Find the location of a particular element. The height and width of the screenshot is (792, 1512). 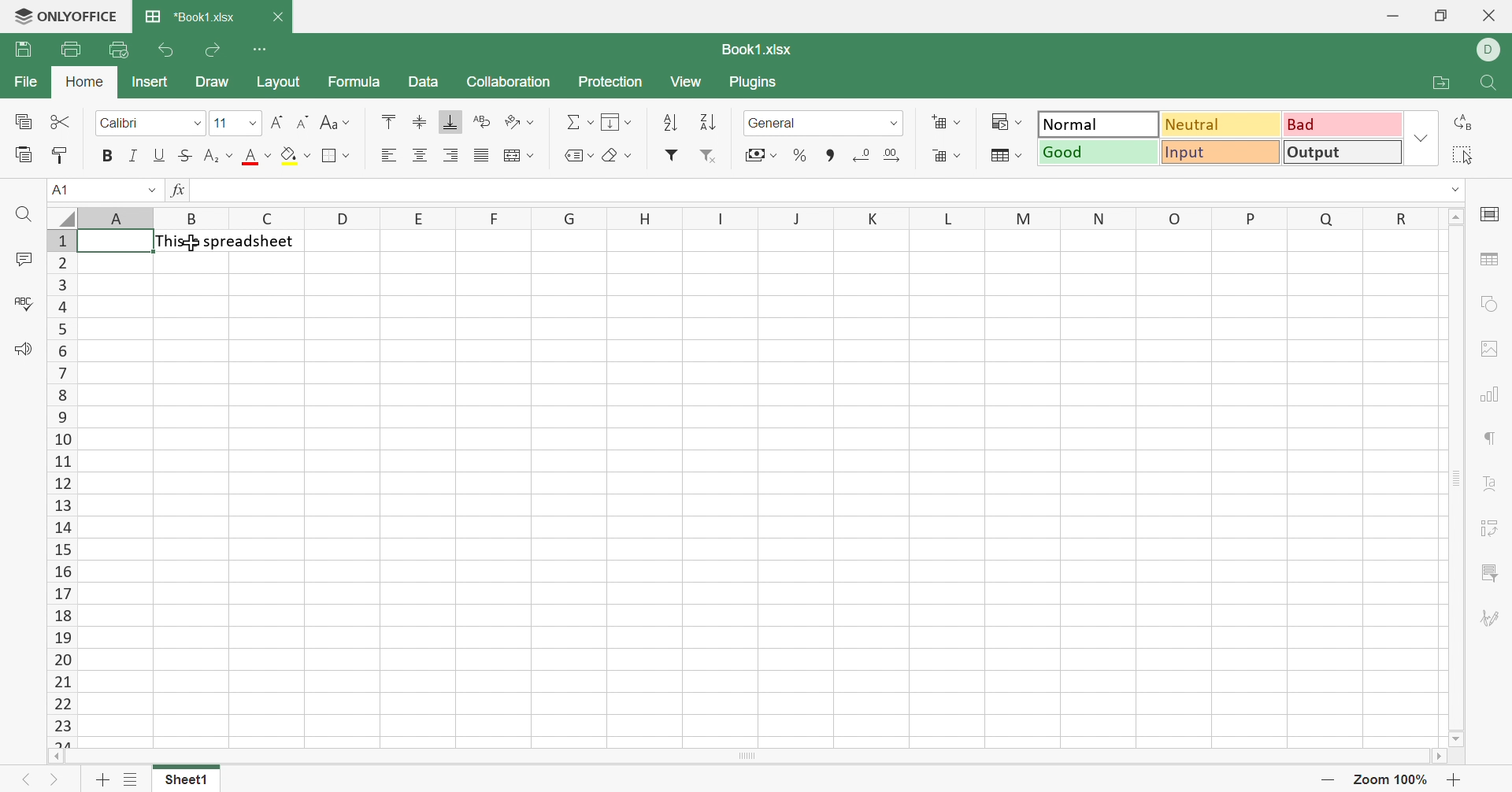

Find is located at coordinates (1492, 84).